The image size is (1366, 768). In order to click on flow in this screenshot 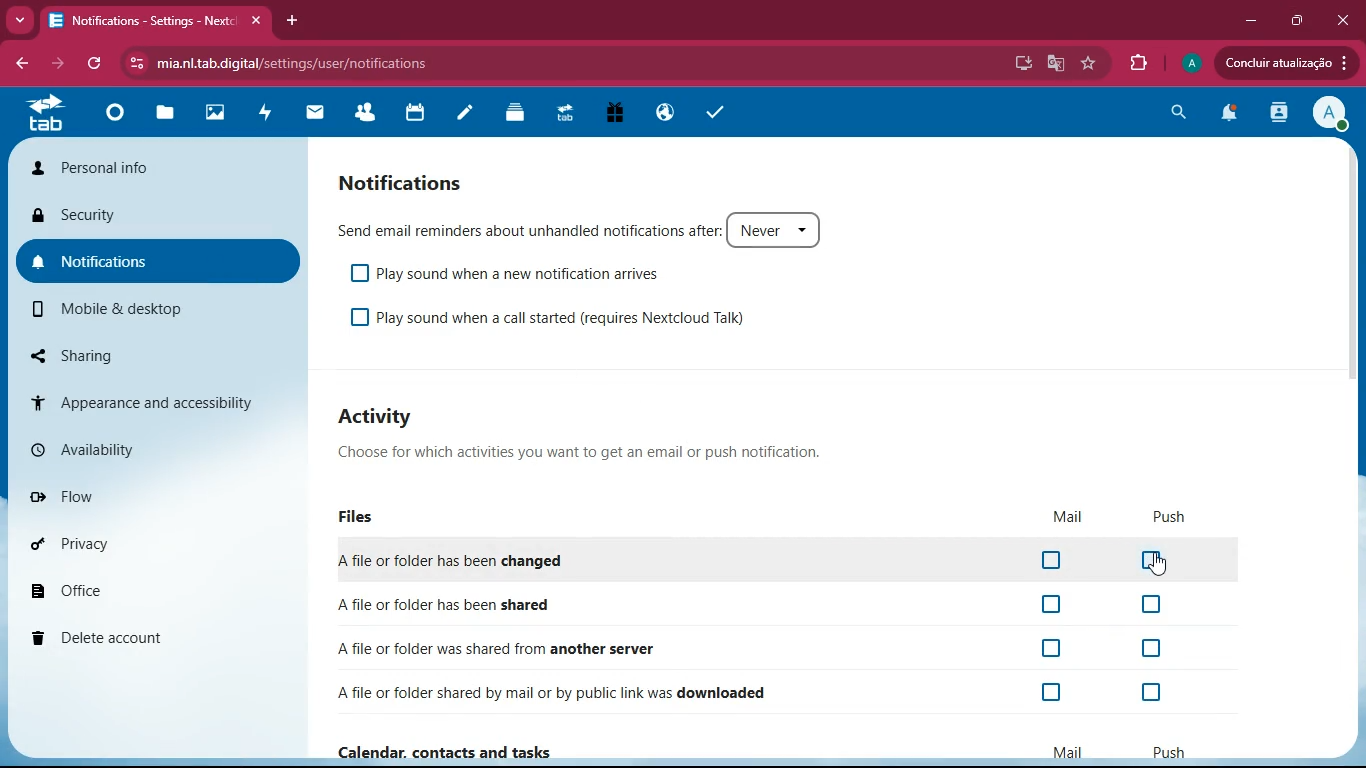, I will do `click(139, 493)`.